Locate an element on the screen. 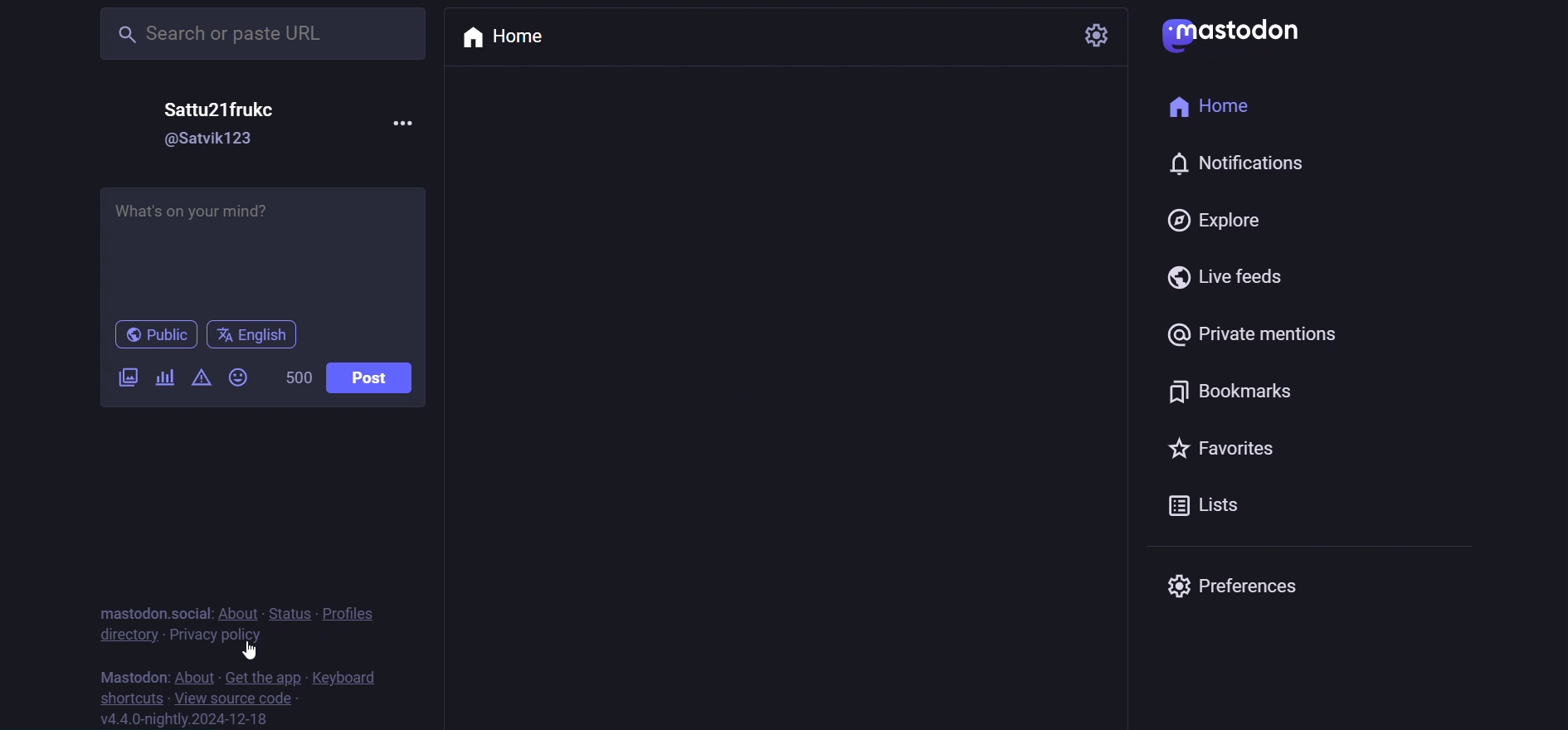 The image size is (1568, 730). image/video is located at coordinates (129, 378).